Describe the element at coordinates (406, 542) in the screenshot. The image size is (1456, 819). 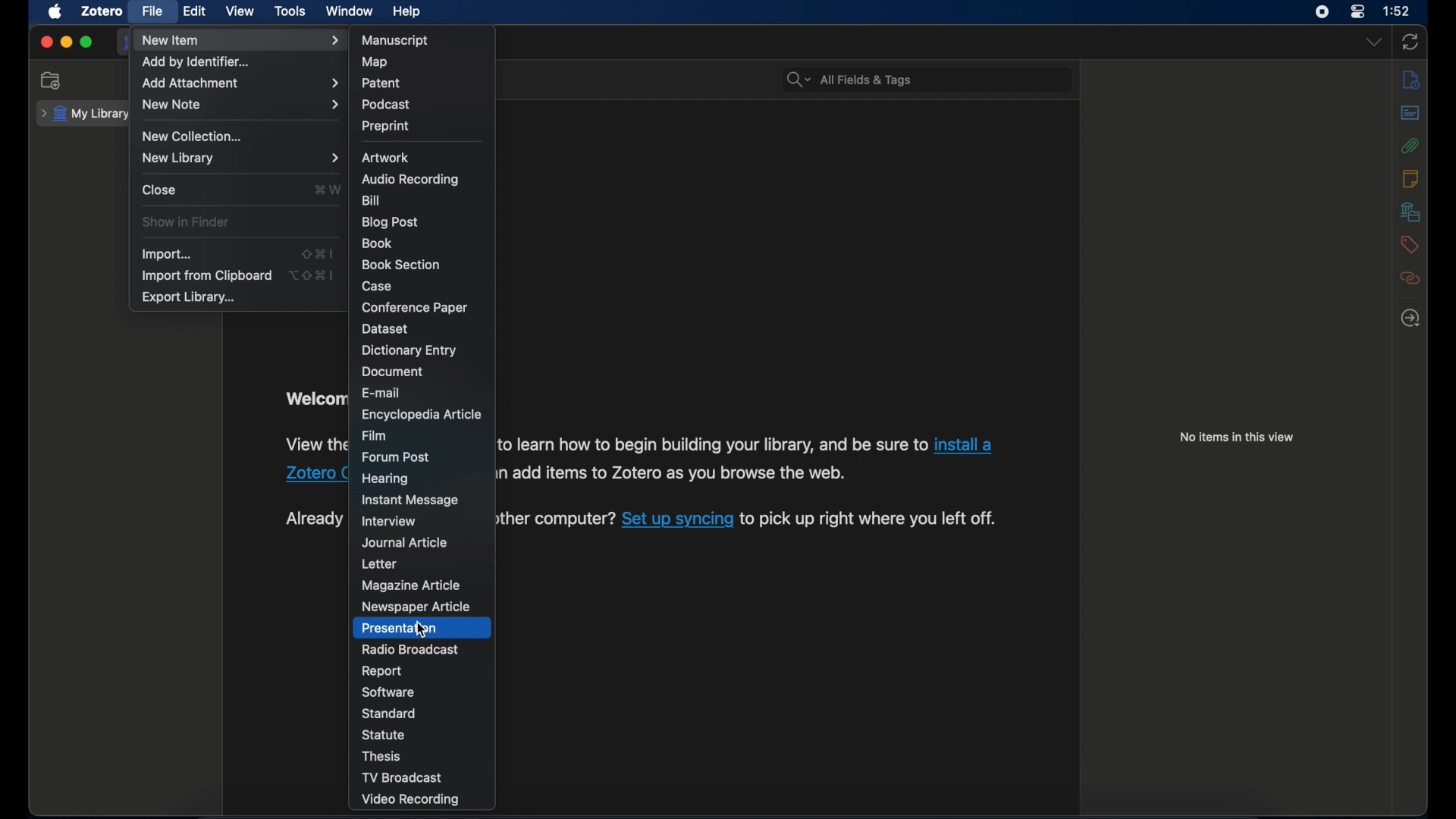
I see `journal article` at that location.